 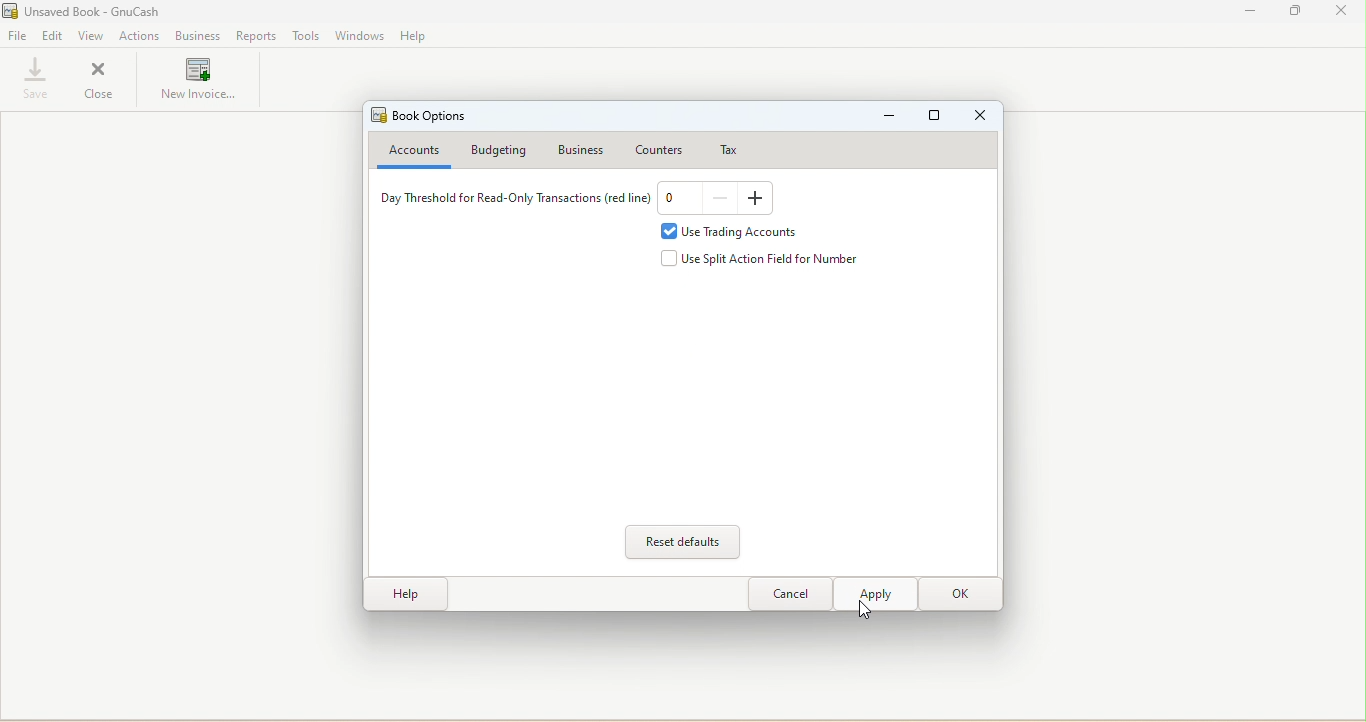 What do you see at coordinates (658, 147) in the screenshot?
I see `Counters` at bounding box center [658, 147].